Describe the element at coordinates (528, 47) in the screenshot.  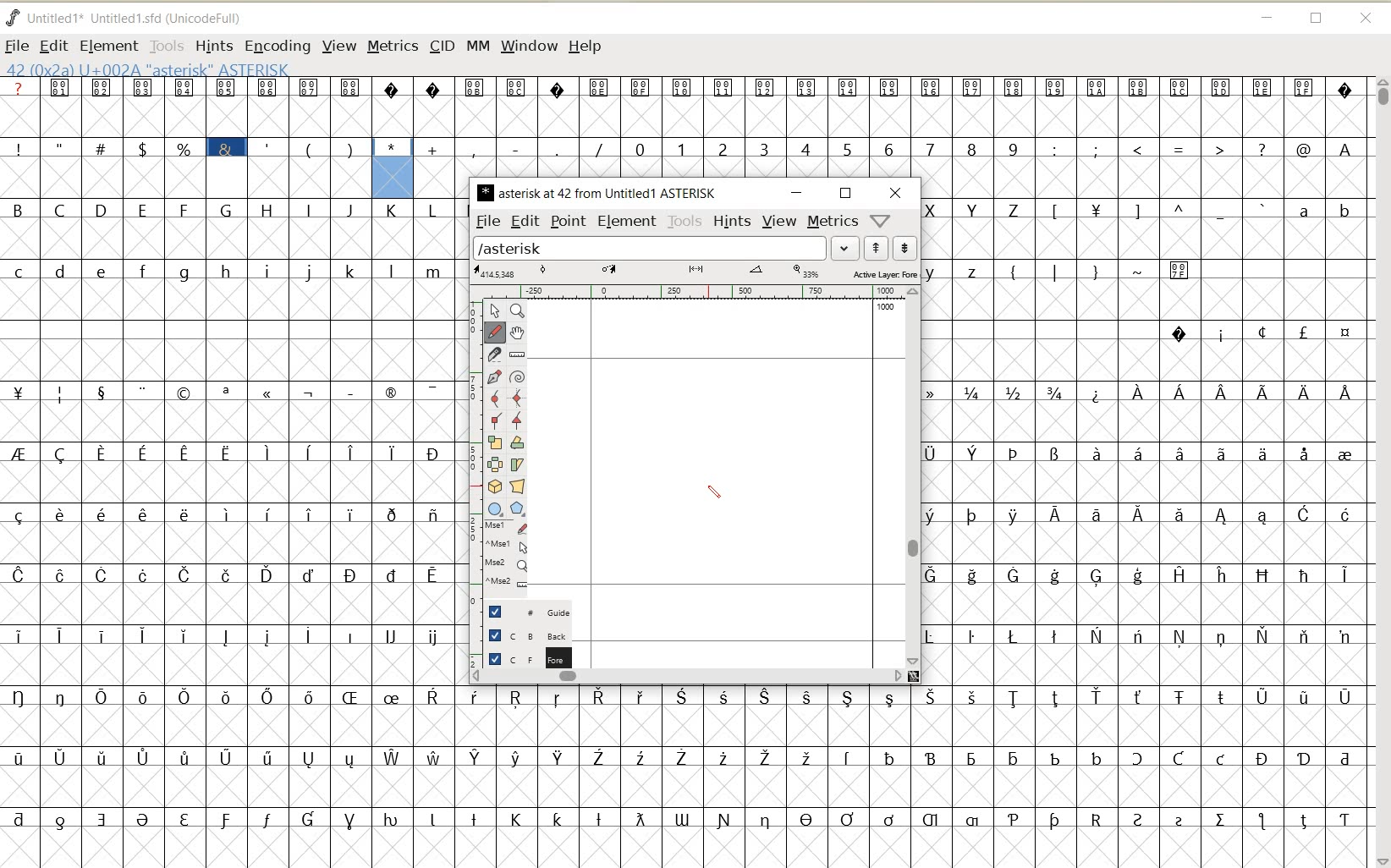
I see `WINDOW` at that location.